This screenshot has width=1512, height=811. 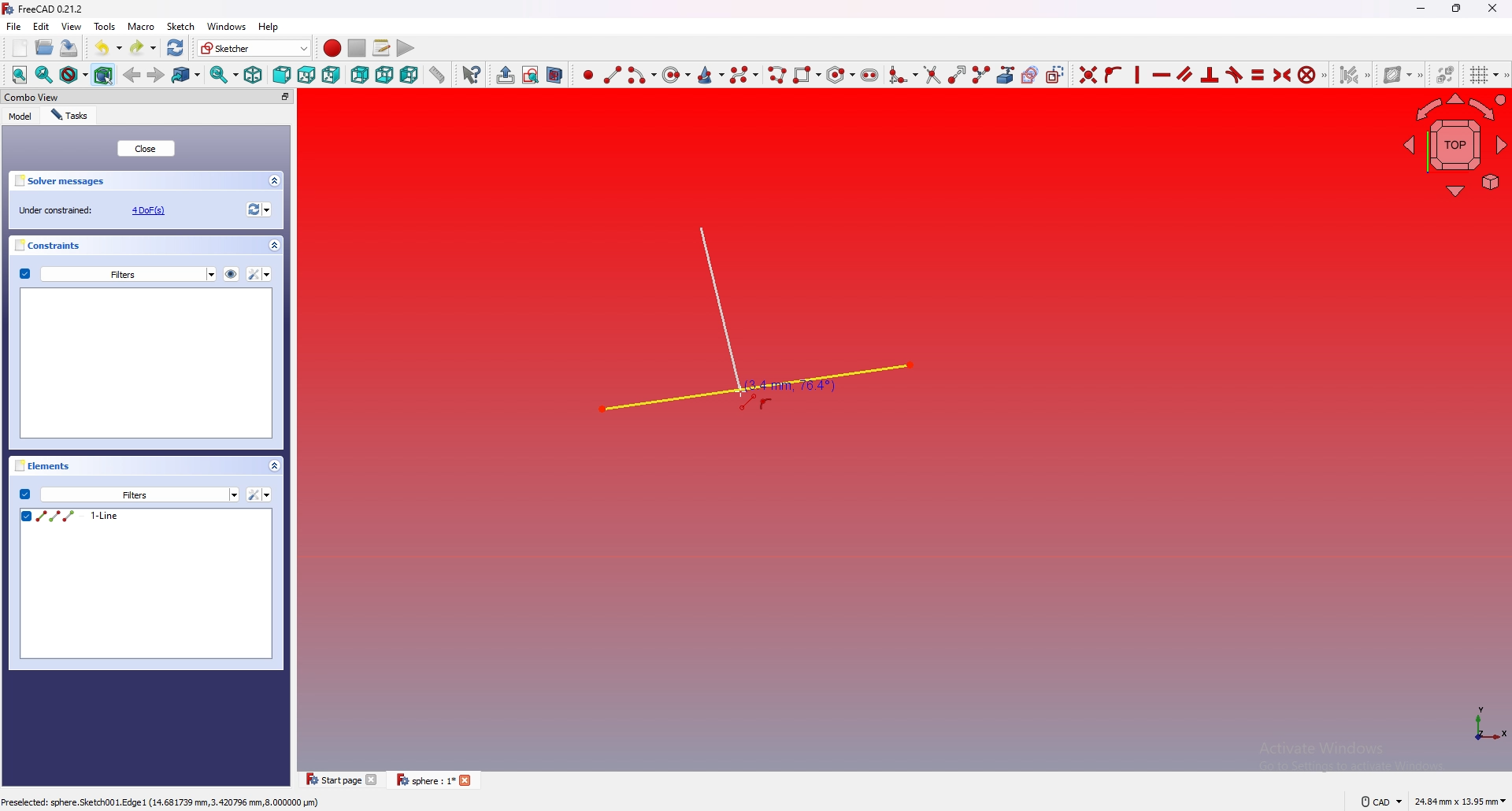 I want to click on View section, so click(x=555, y=74).